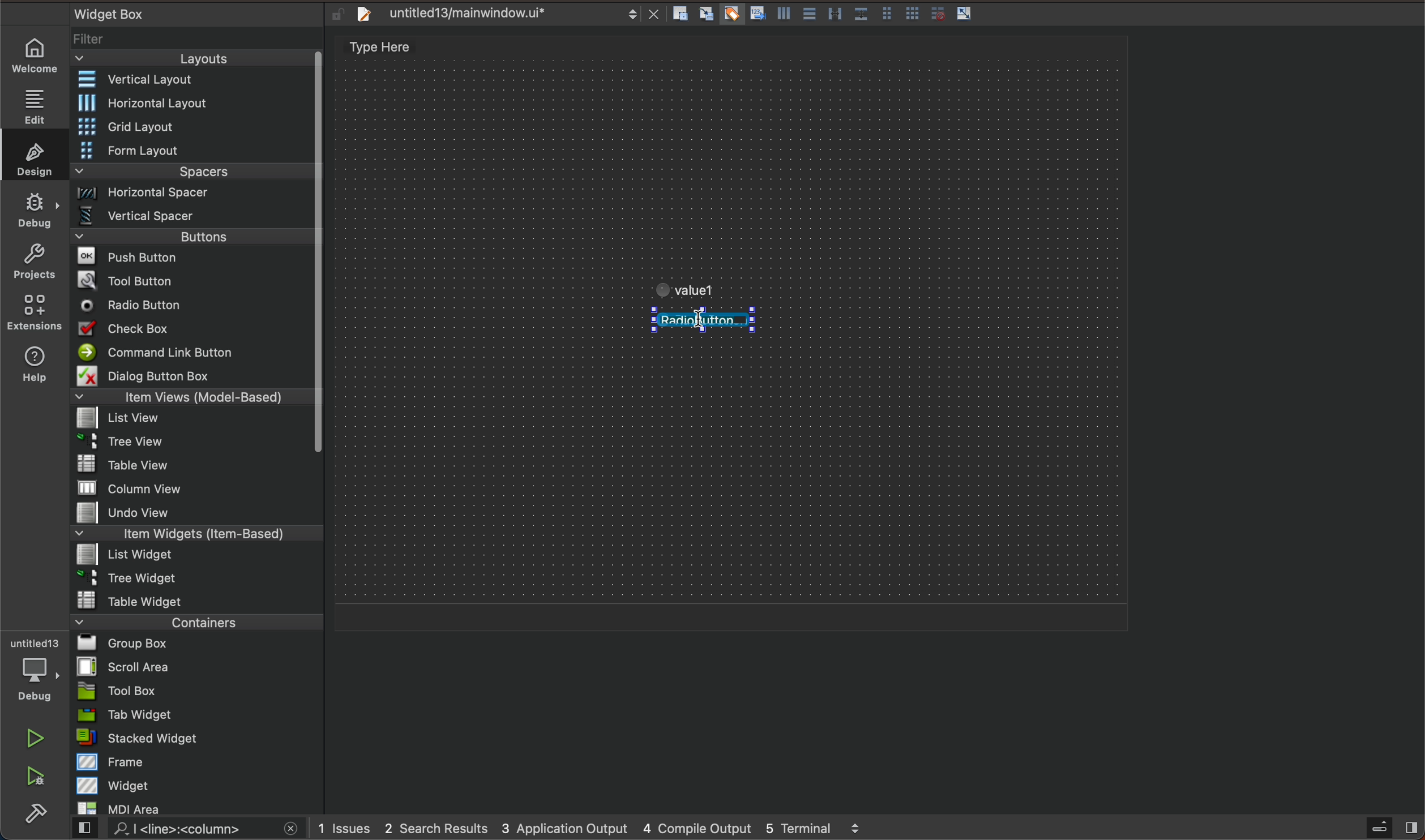  What do you see at coordinates (681, 328) in the screenshot?
I see `cursor` at bounding box center [681, 328].